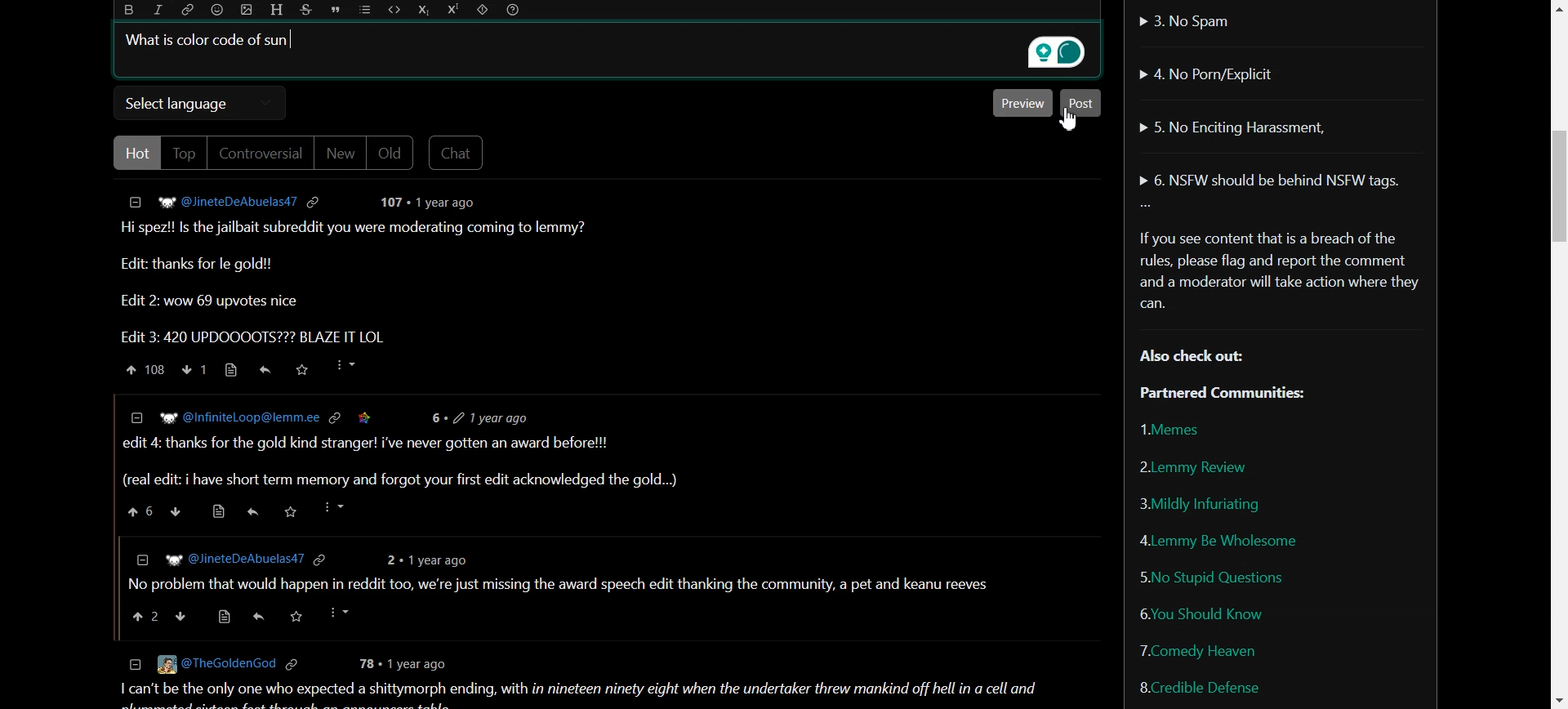  Describe the element at coordinates (341, 154) in the screenshot. I see `New` at that location.